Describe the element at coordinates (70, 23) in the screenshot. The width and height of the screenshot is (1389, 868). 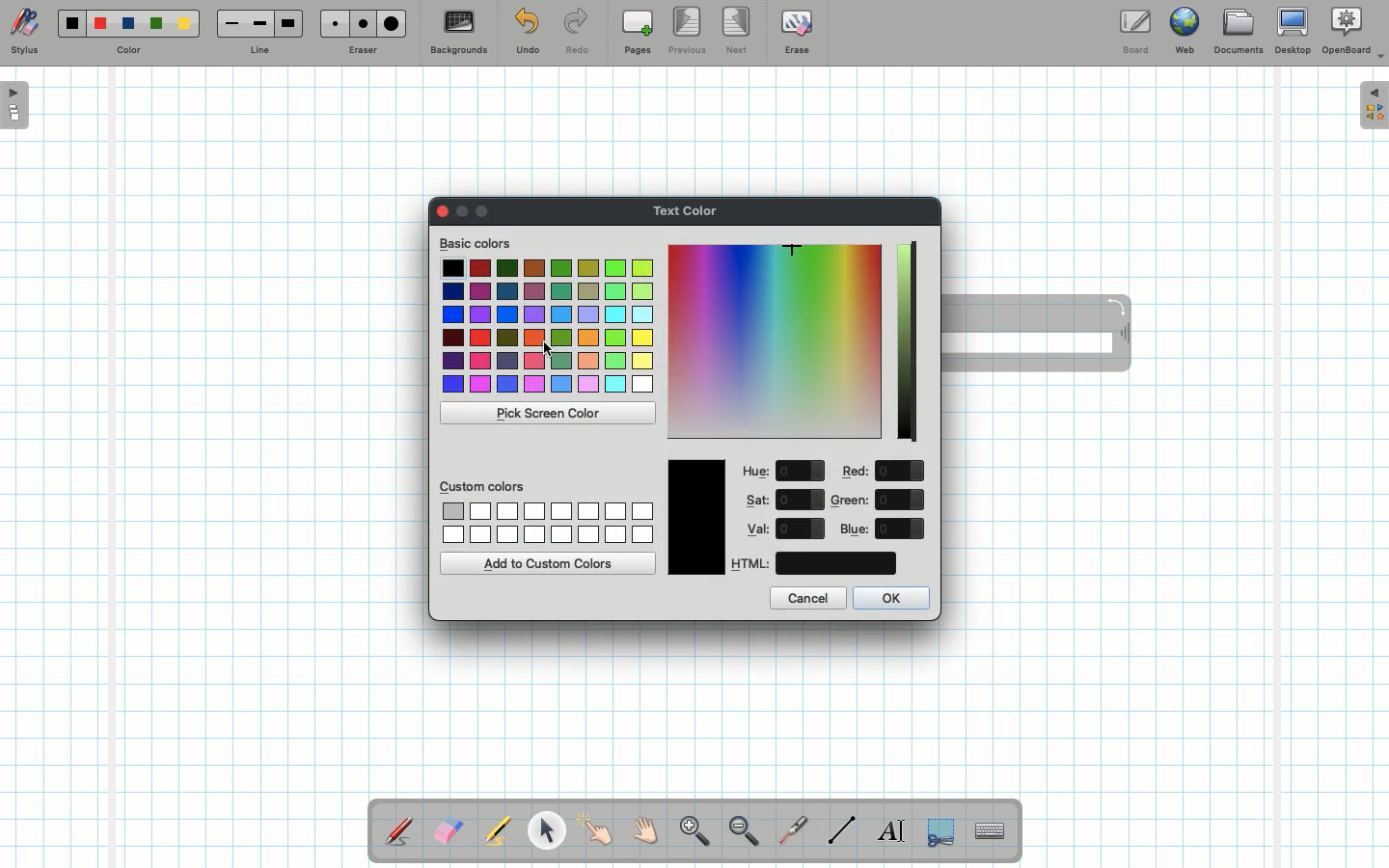
I see `Black` at that location.